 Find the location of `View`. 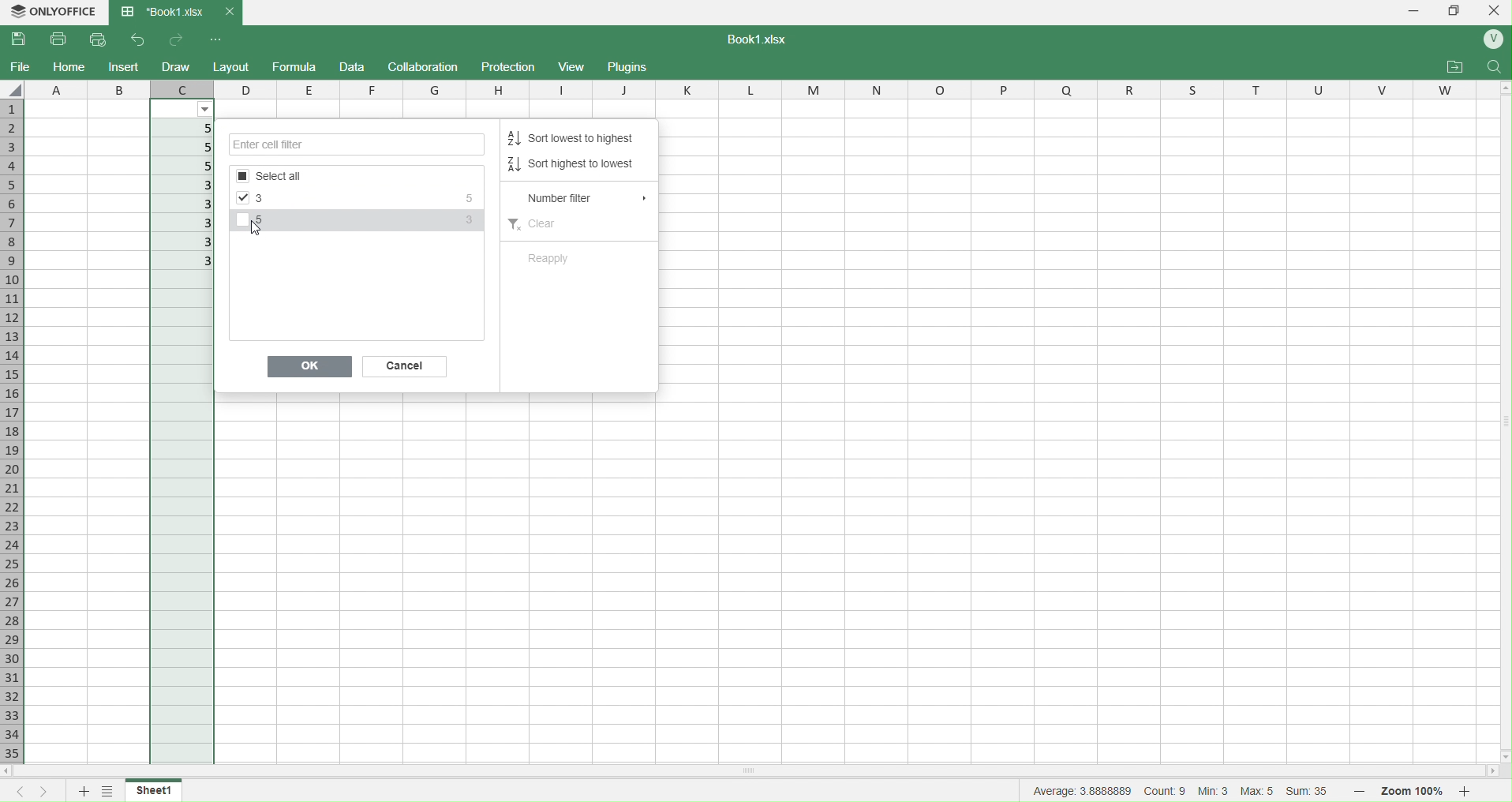

View is located at coordinates (574, 66).